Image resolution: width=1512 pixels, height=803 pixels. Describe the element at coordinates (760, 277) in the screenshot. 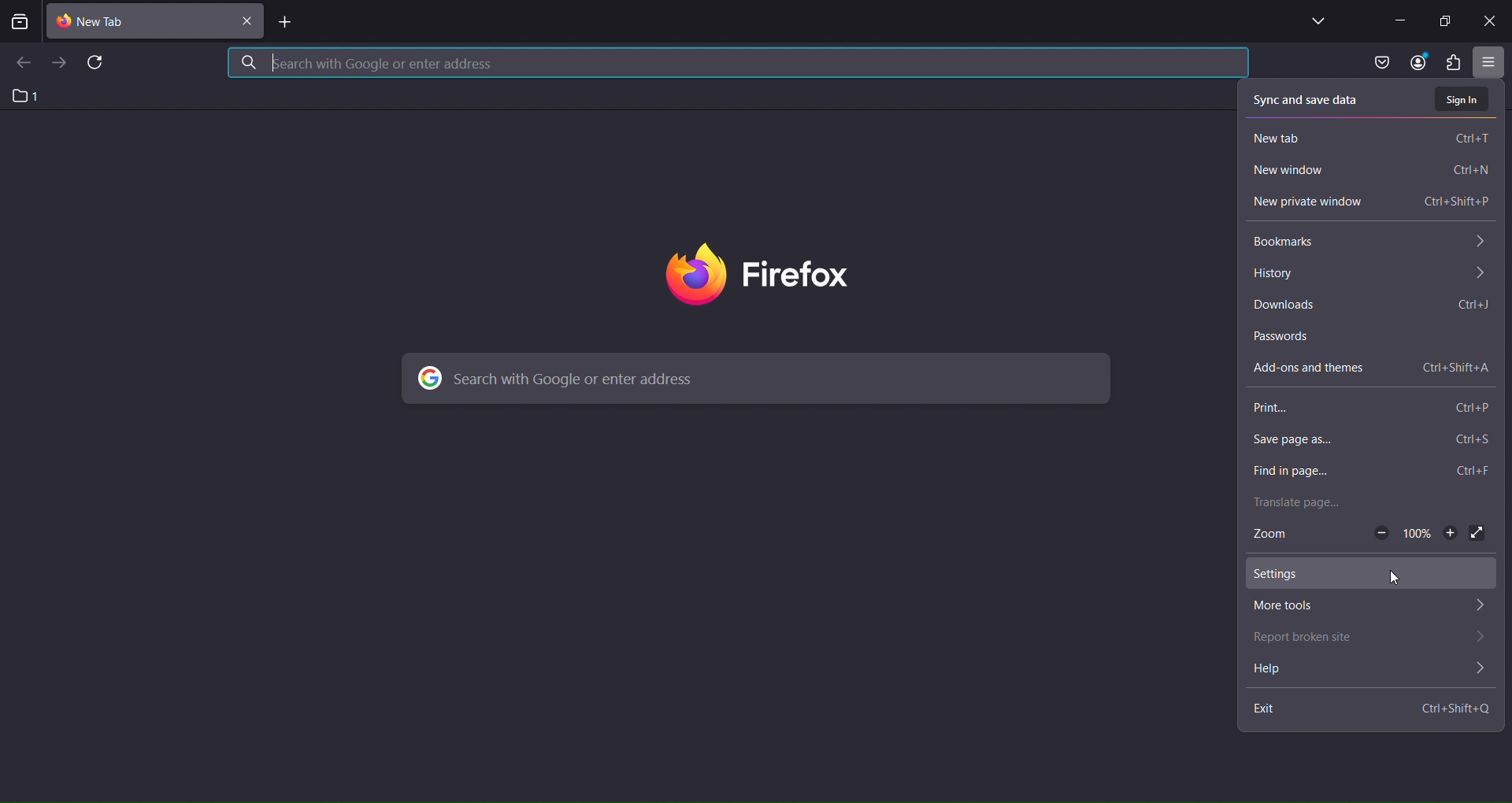

I see `firefox` at that location.